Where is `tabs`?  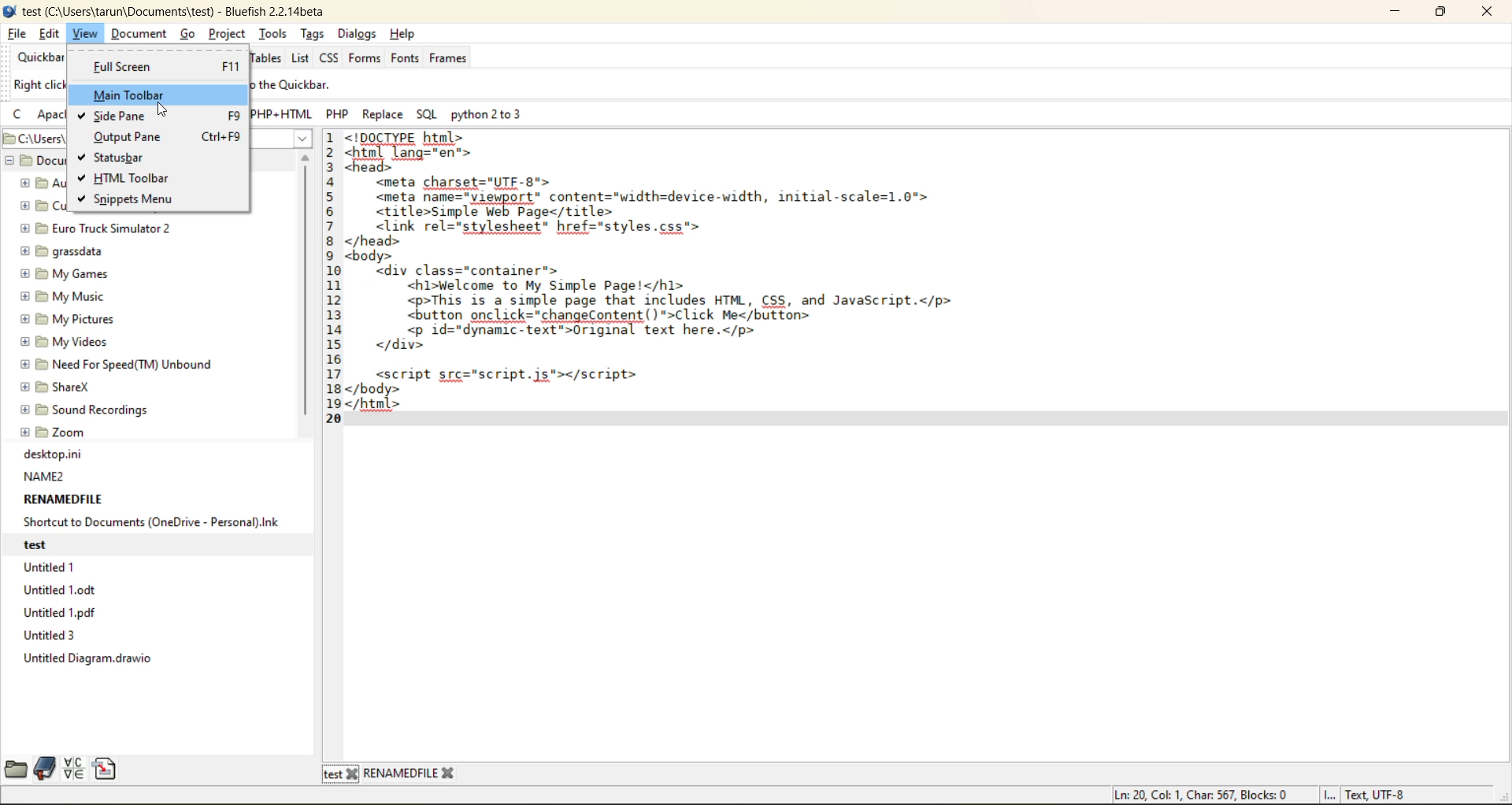 tabs is located at coordinates (391, 773).